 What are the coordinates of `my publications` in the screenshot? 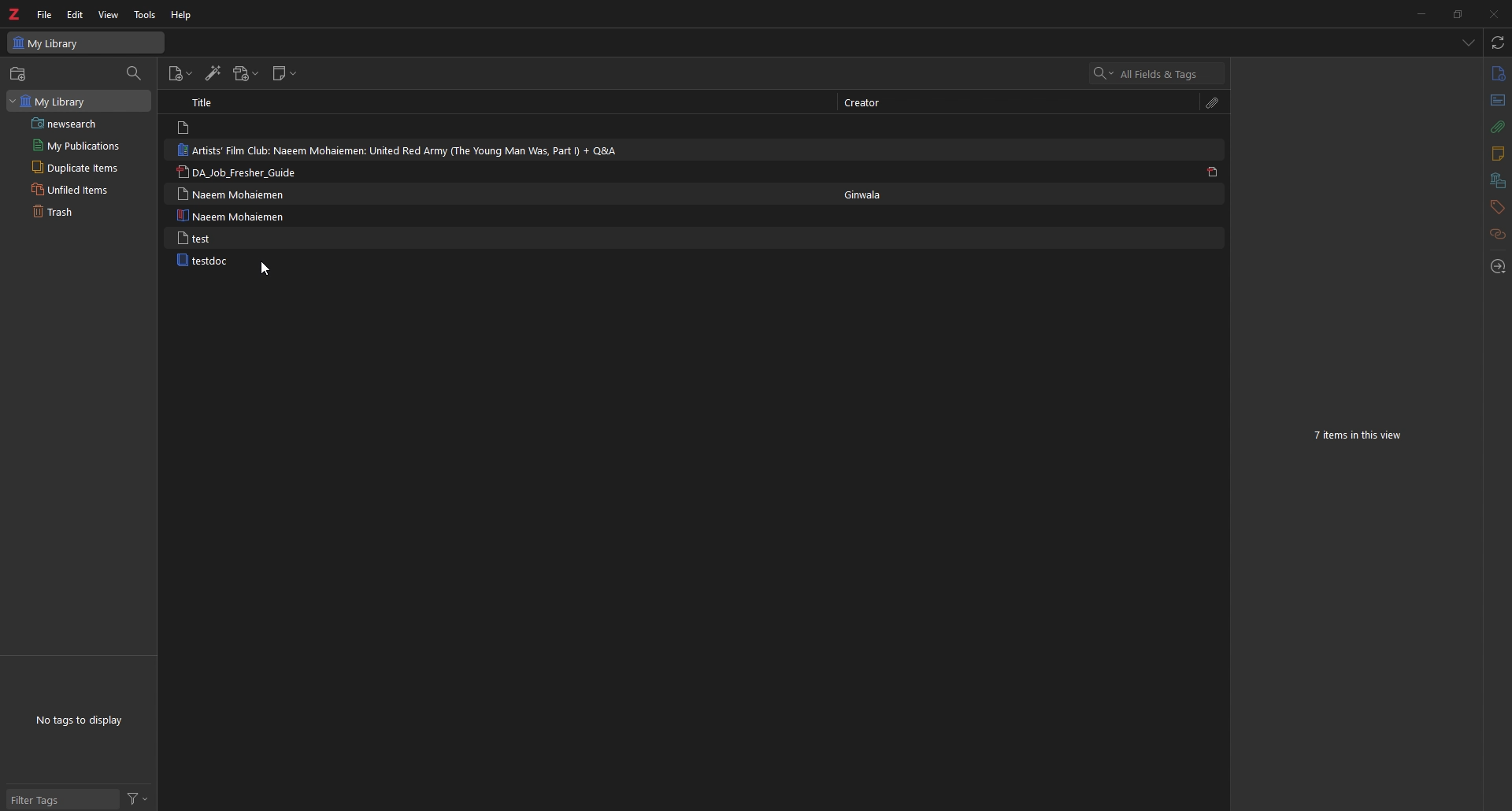 It's located at (76, 146).